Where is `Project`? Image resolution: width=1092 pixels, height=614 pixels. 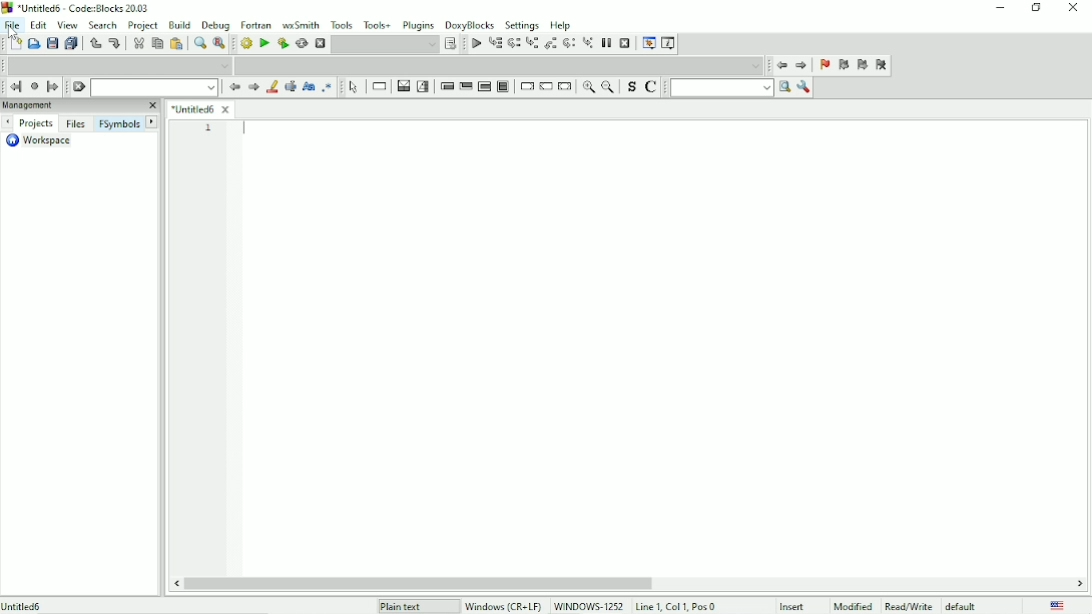 Project is located at coordinates (143, 25).